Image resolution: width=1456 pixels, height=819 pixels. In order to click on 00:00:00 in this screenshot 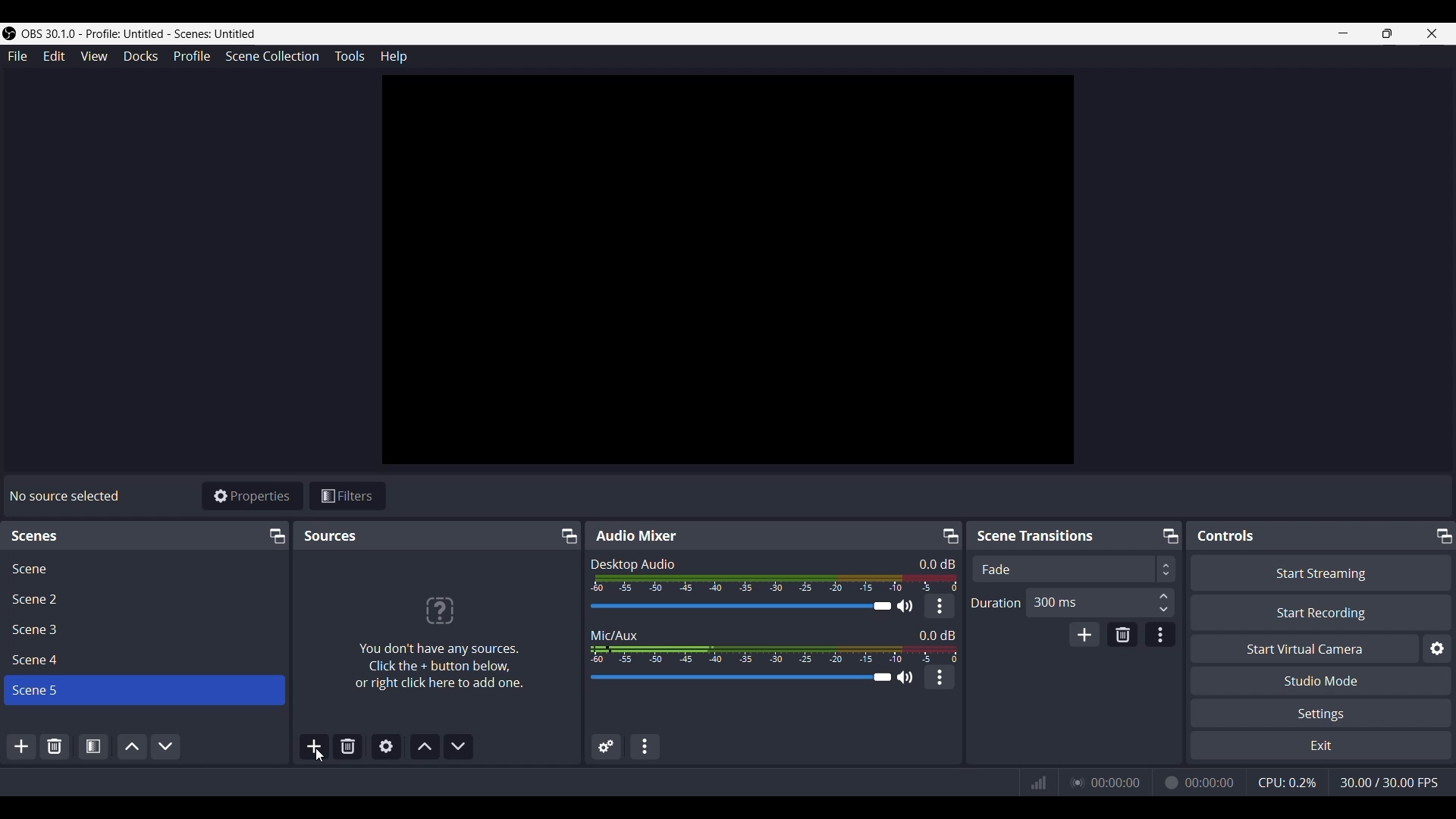, I will do `click(1117, 782)`.